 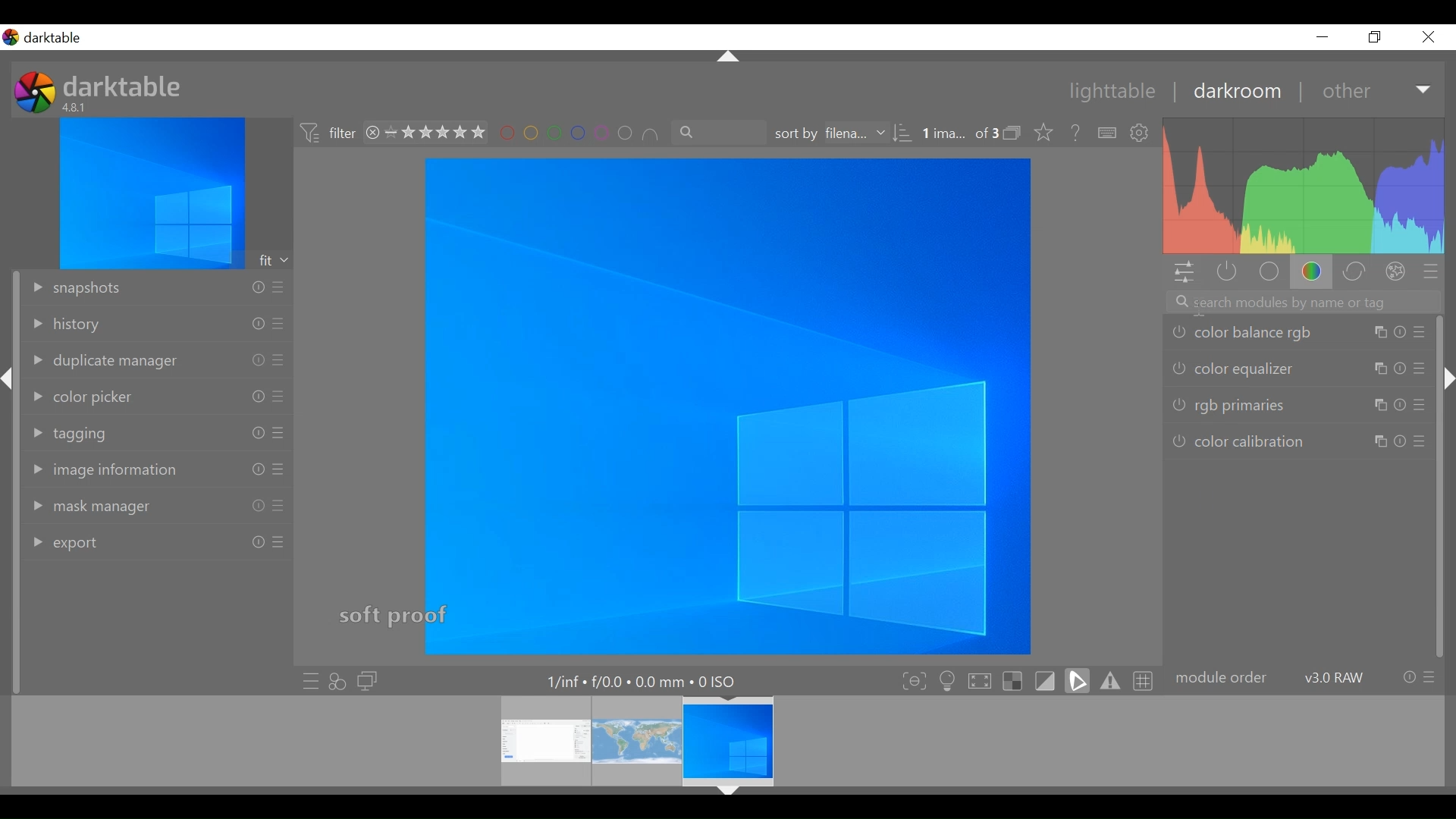 What do you see at coordinates (63, 544) in the screenshot?
I see `export` at bounding box center [63, 544].